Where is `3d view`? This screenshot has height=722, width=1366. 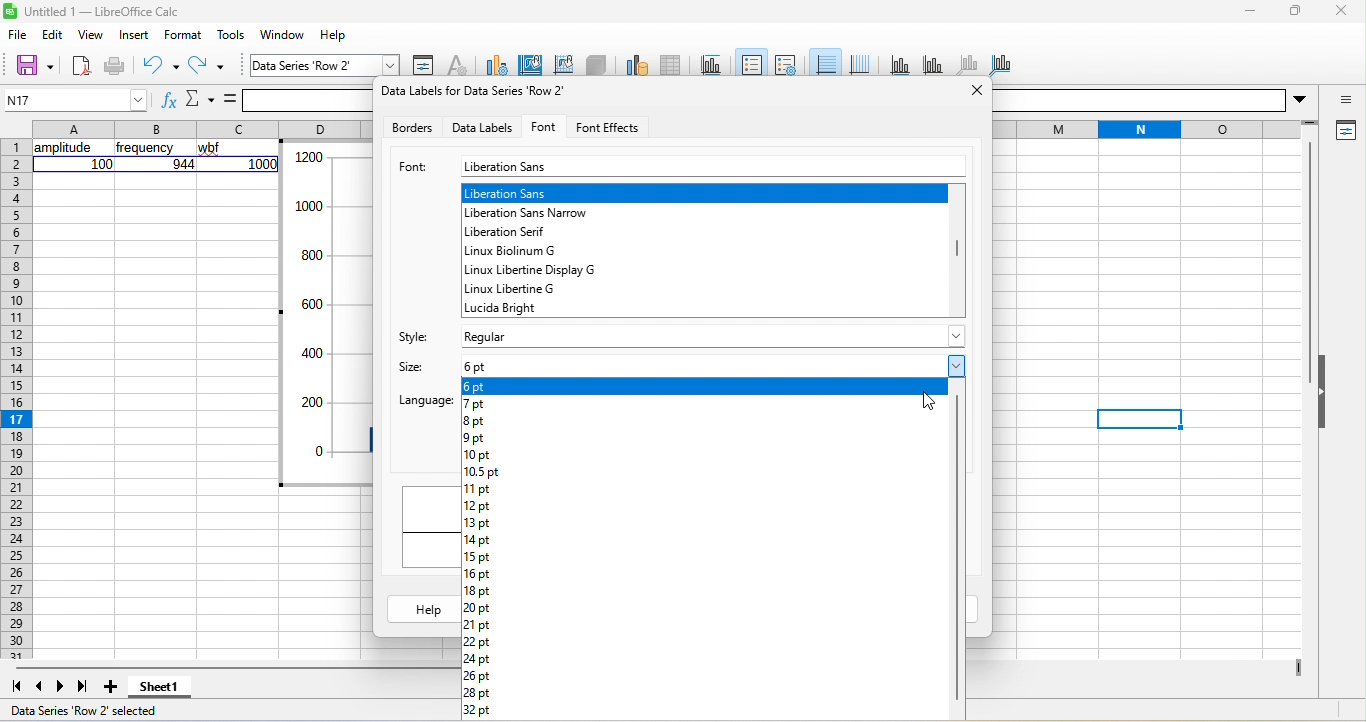
3d view is located at coordinates (598, 65).